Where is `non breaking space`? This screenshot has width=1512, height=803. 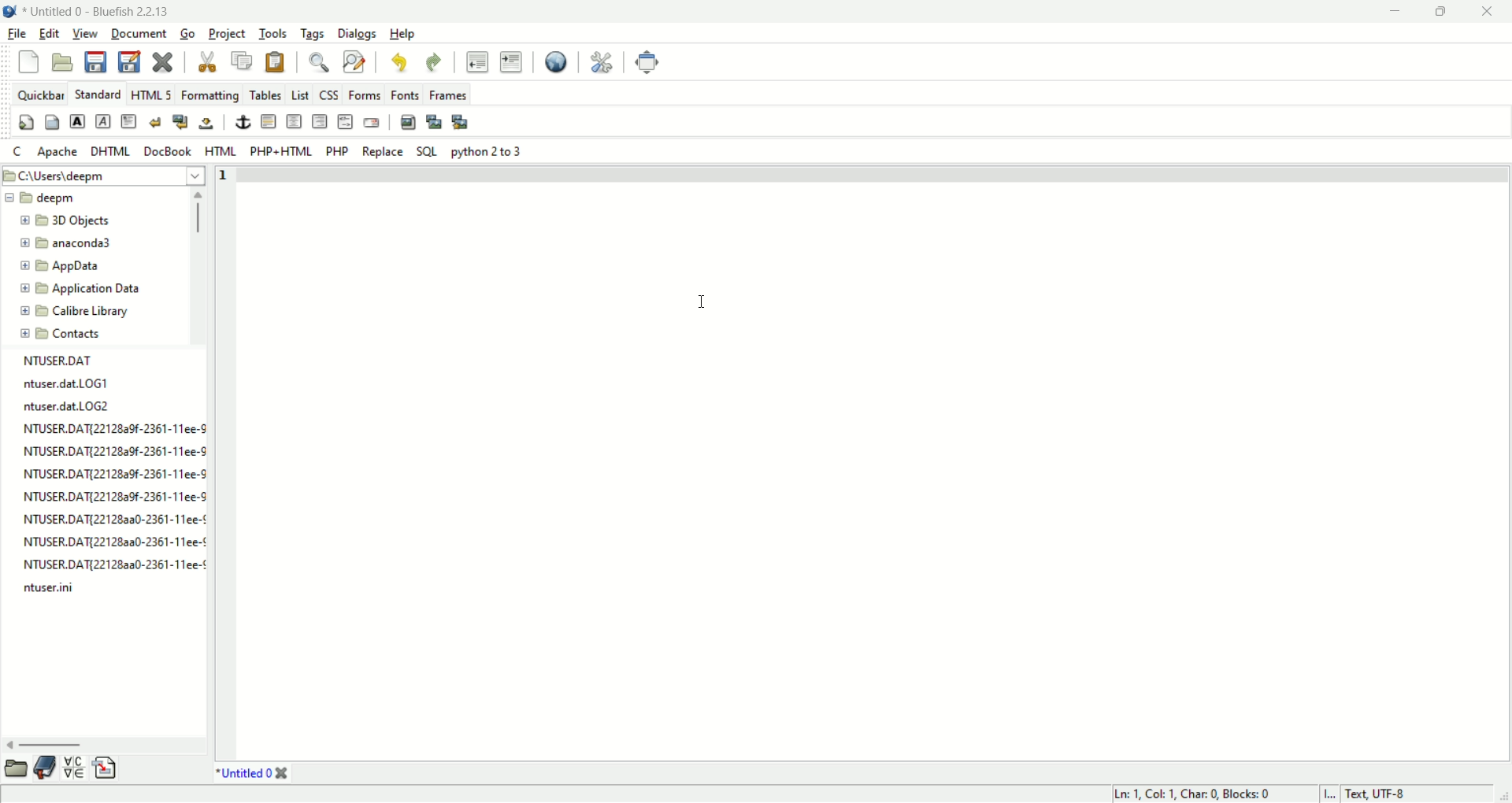 non breaking space is located at coordinates (206, 124).